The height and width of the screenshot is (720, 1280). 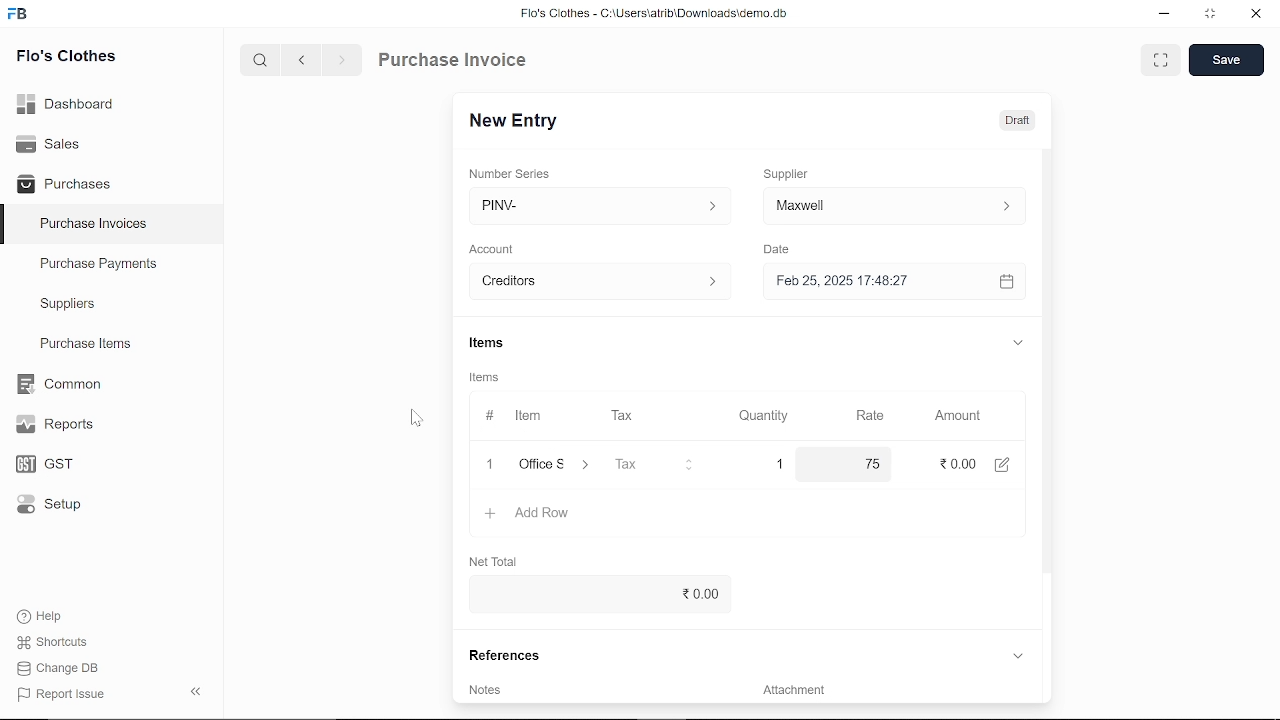 What do you see at coordinates (529, 514) in the screenshot?
I see ` Add Row` at bounding box center [529, 514].